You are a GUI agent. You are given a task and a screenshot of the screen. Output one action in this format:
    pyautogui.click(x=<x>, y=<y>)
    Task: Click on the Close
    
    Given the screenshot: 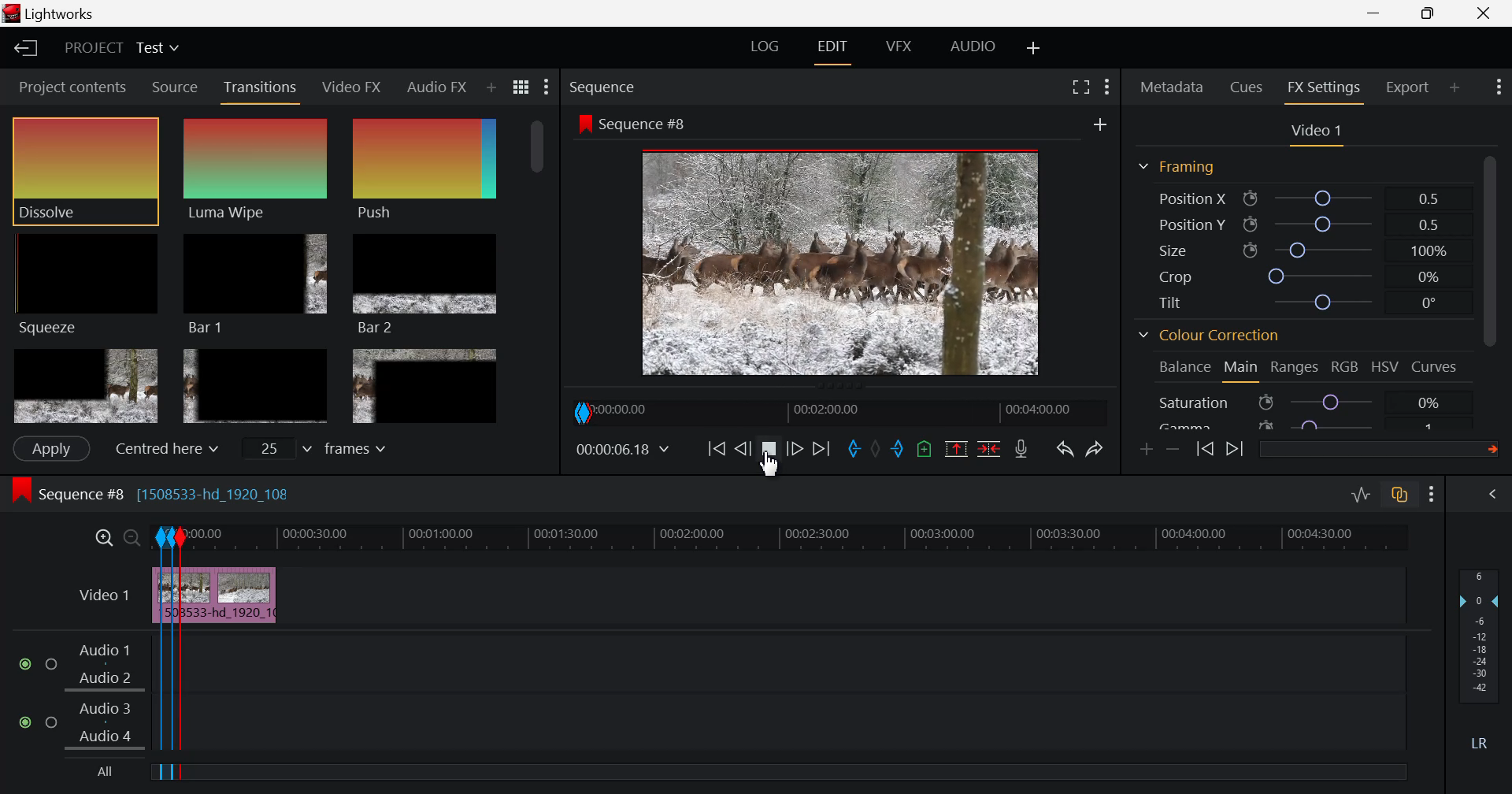 What is the action you would take?
    pyautogui.click(x=1480, y=13)
    